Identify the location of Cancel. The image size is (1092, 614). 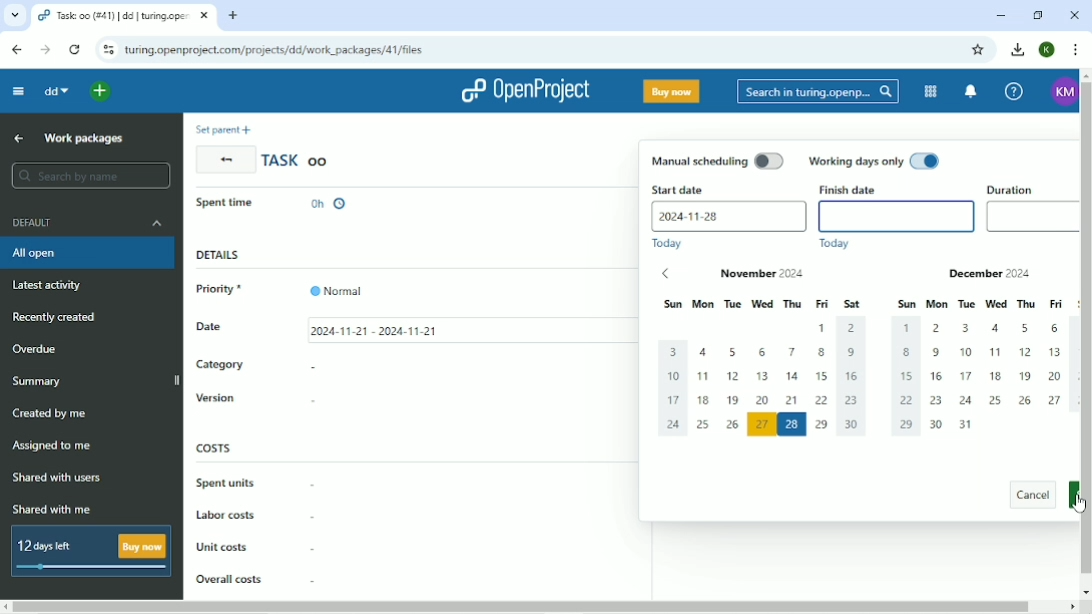
(1030, 494).